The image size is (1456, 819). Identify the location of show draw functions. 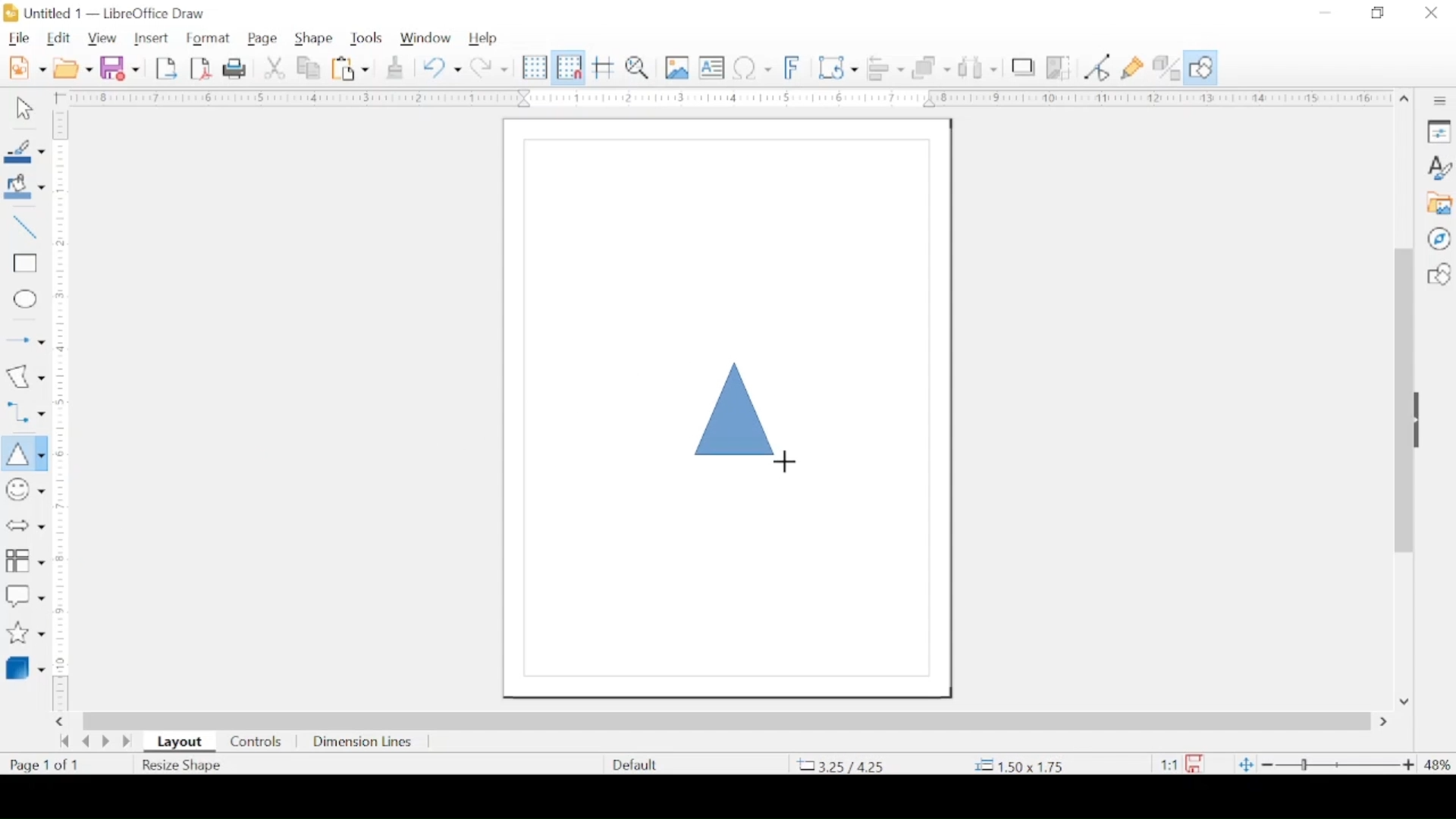
(1203, 67).